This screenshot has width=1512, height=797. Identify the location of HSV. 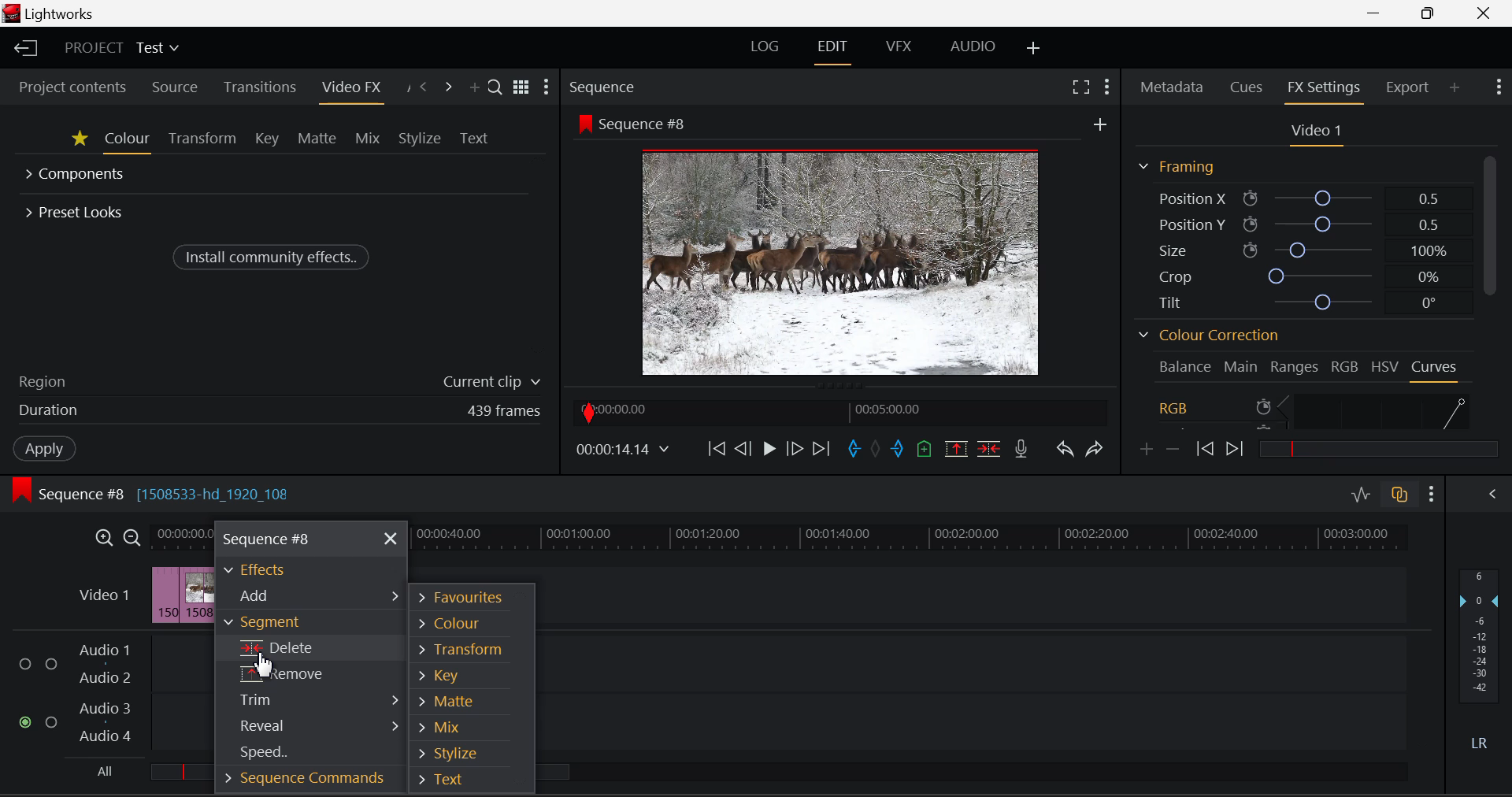
(1387, 365).